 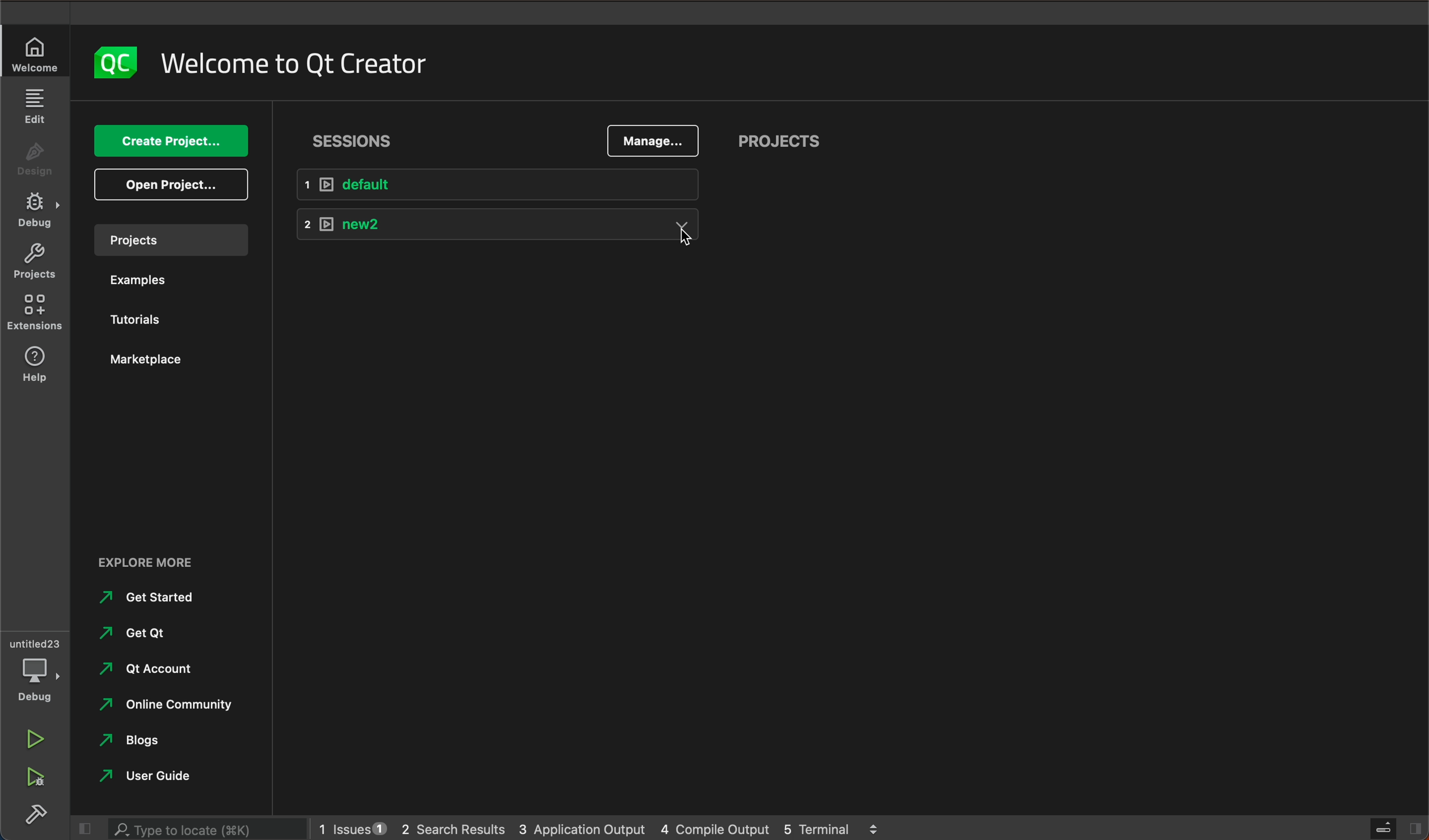 What do you see at coordinates (178, 705) in the screenshot?
I see `online community` at bounding box center [178, 705].